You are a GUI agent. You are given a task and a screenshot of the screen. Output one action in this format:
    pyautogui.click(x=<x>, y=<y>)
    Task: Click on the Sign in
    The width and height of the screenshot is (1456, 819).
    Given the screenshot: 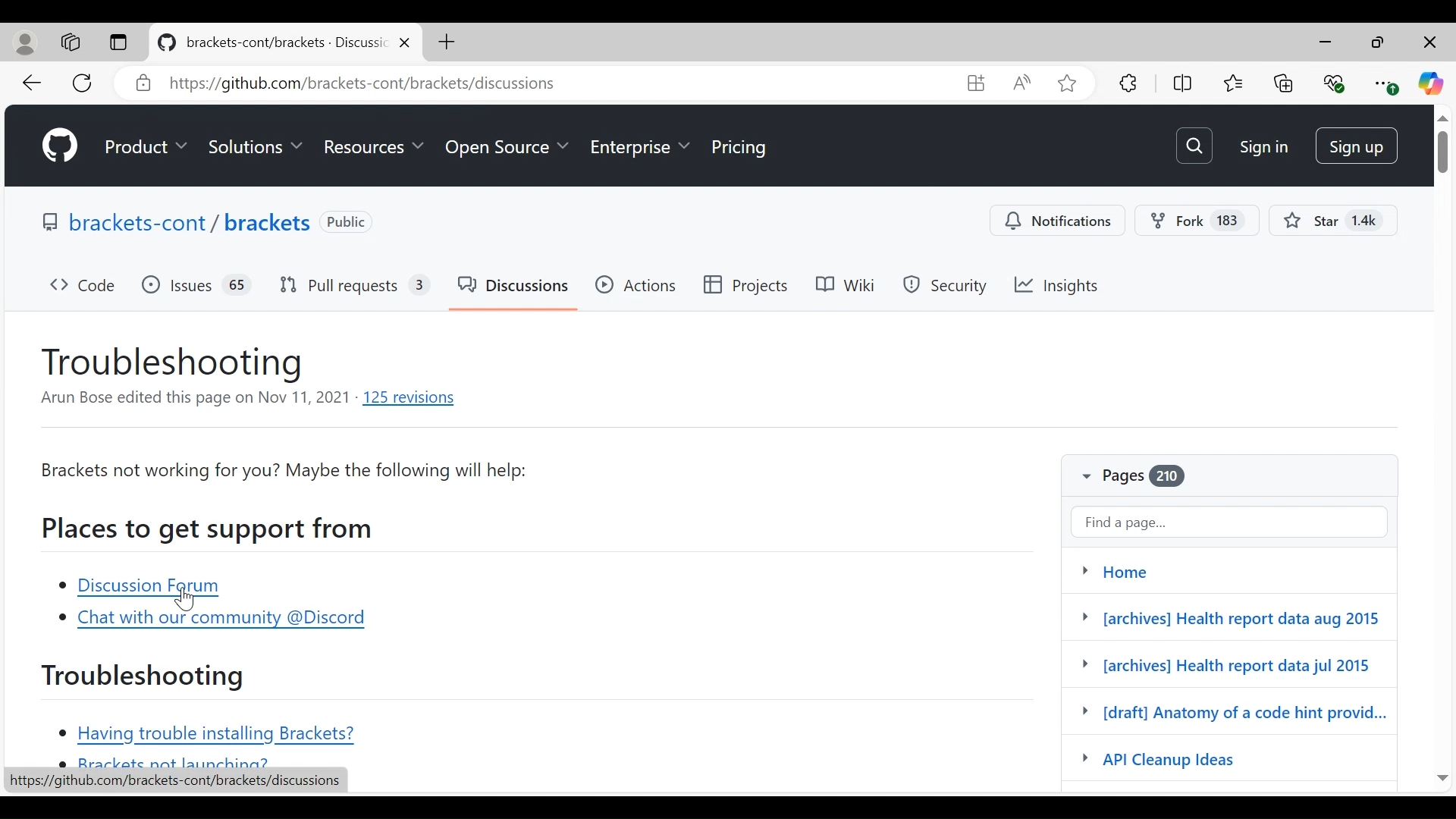 What is the action you would take?
    pyautogui.click(x=1261, y=146)
    